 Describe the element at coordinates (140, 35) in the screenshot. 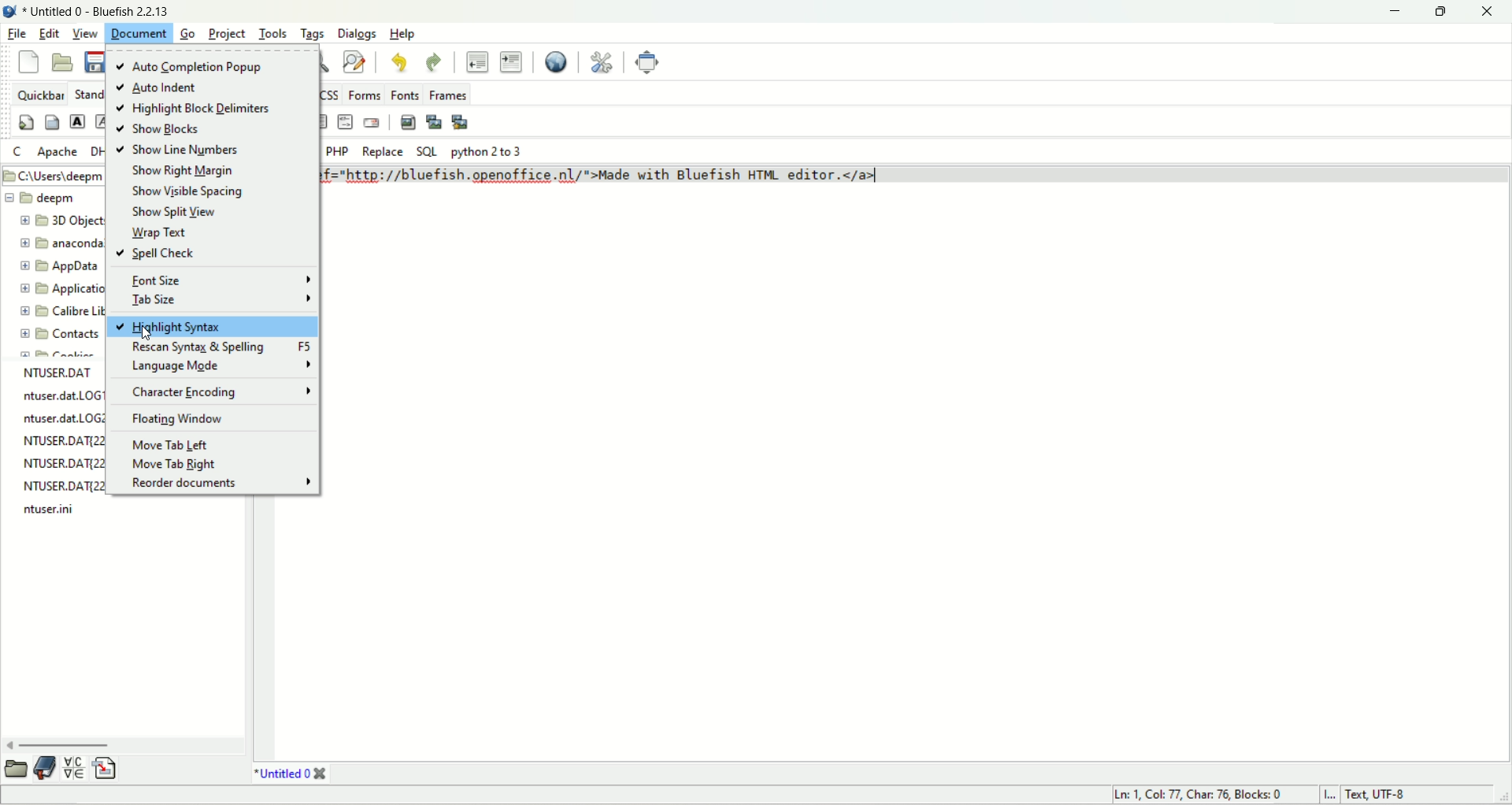

I see `document` at that location.